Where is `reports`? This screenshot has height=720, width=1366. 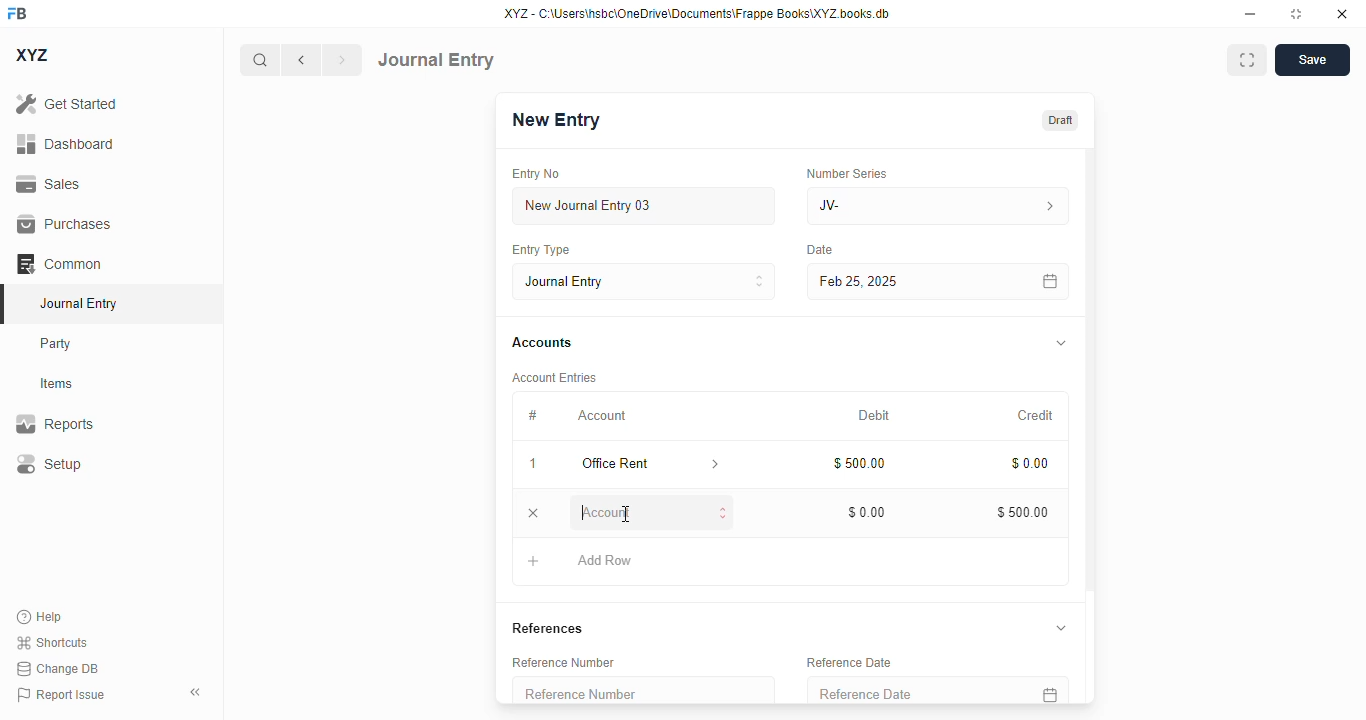 reports is located at coordinates (55, 423).